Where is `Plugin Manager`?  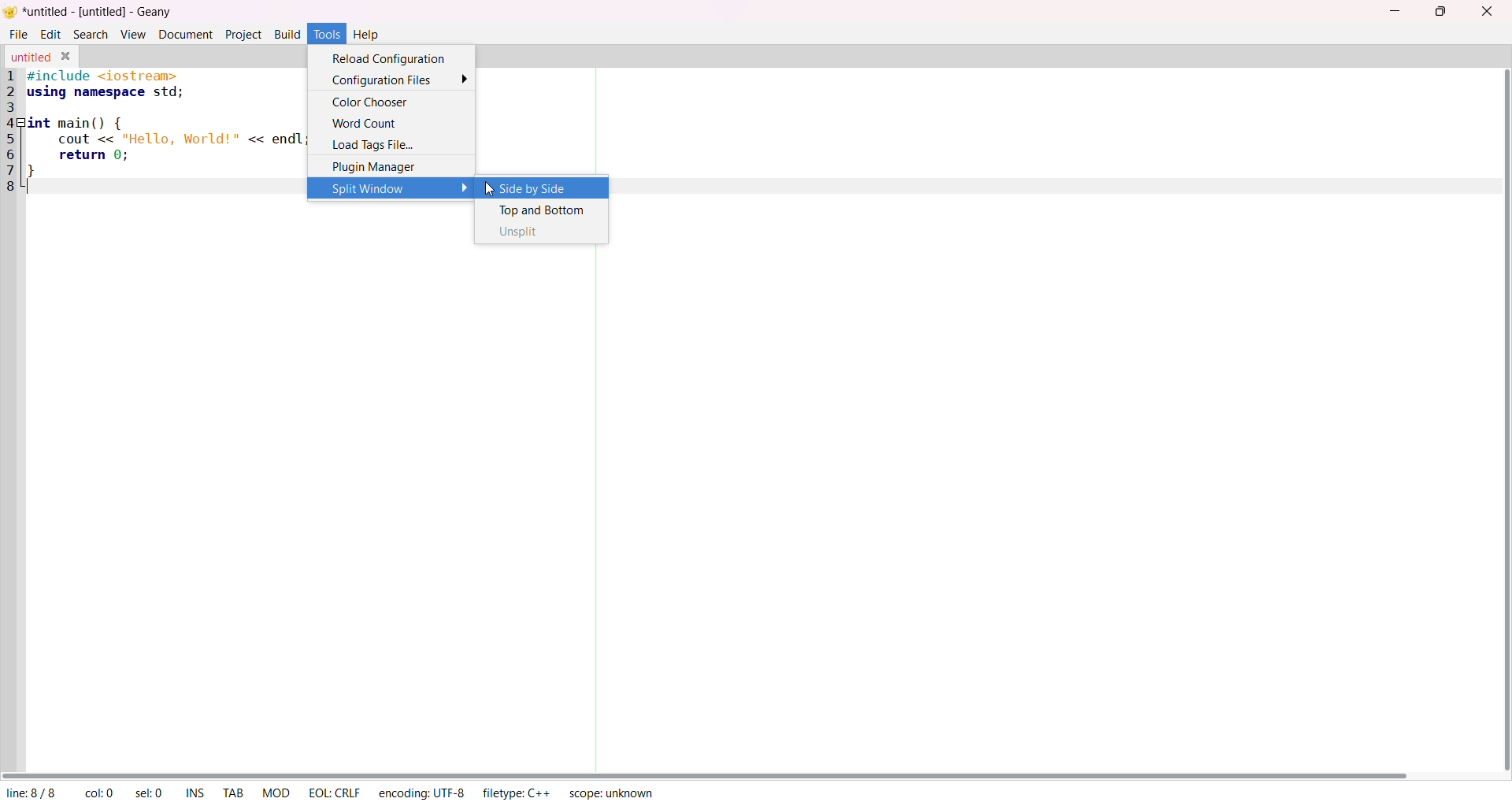 Plugin Manager is located at coordinates (371, 168).